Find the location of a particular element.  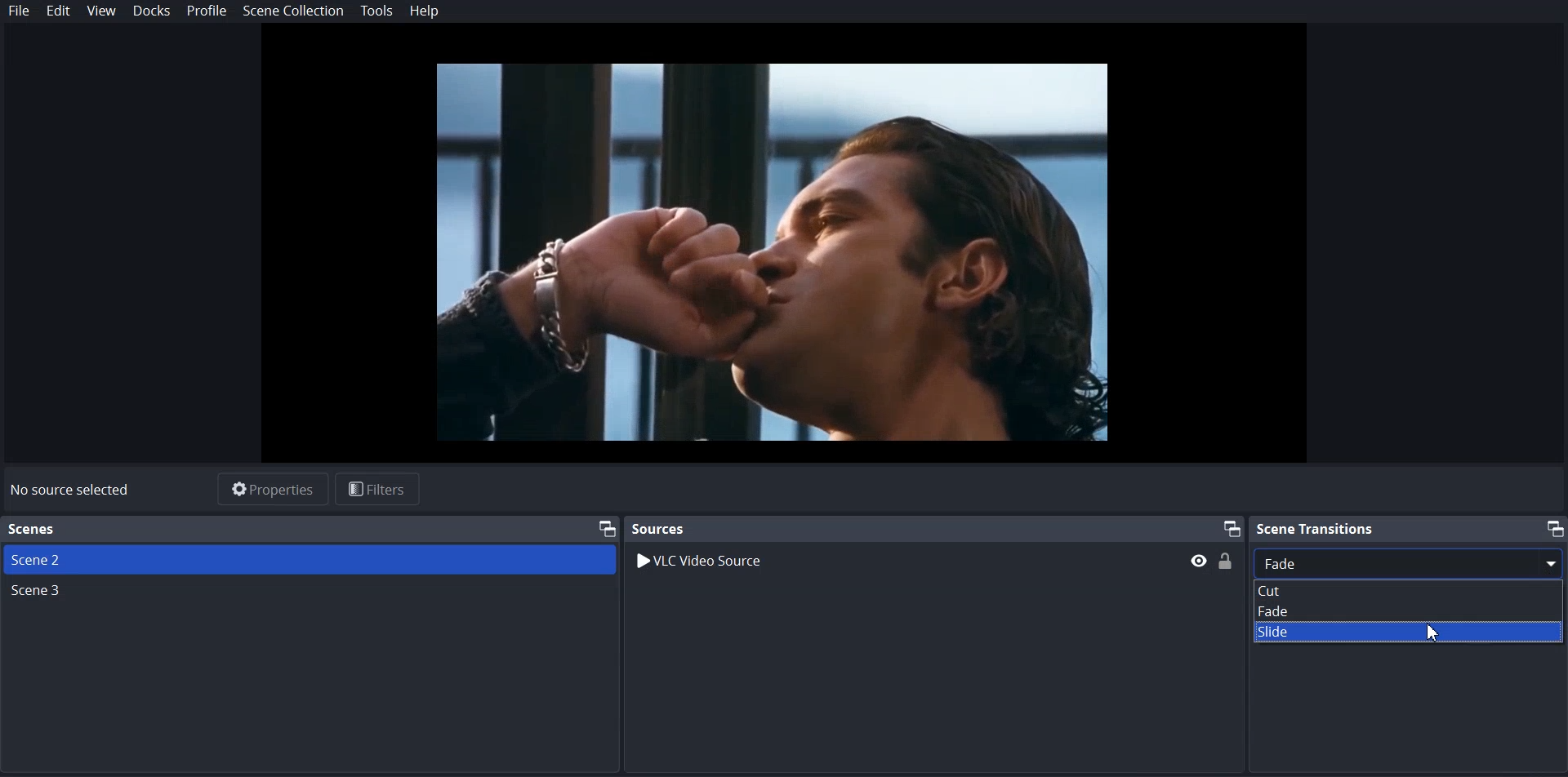

Properties is located at coordinates (273, 490).